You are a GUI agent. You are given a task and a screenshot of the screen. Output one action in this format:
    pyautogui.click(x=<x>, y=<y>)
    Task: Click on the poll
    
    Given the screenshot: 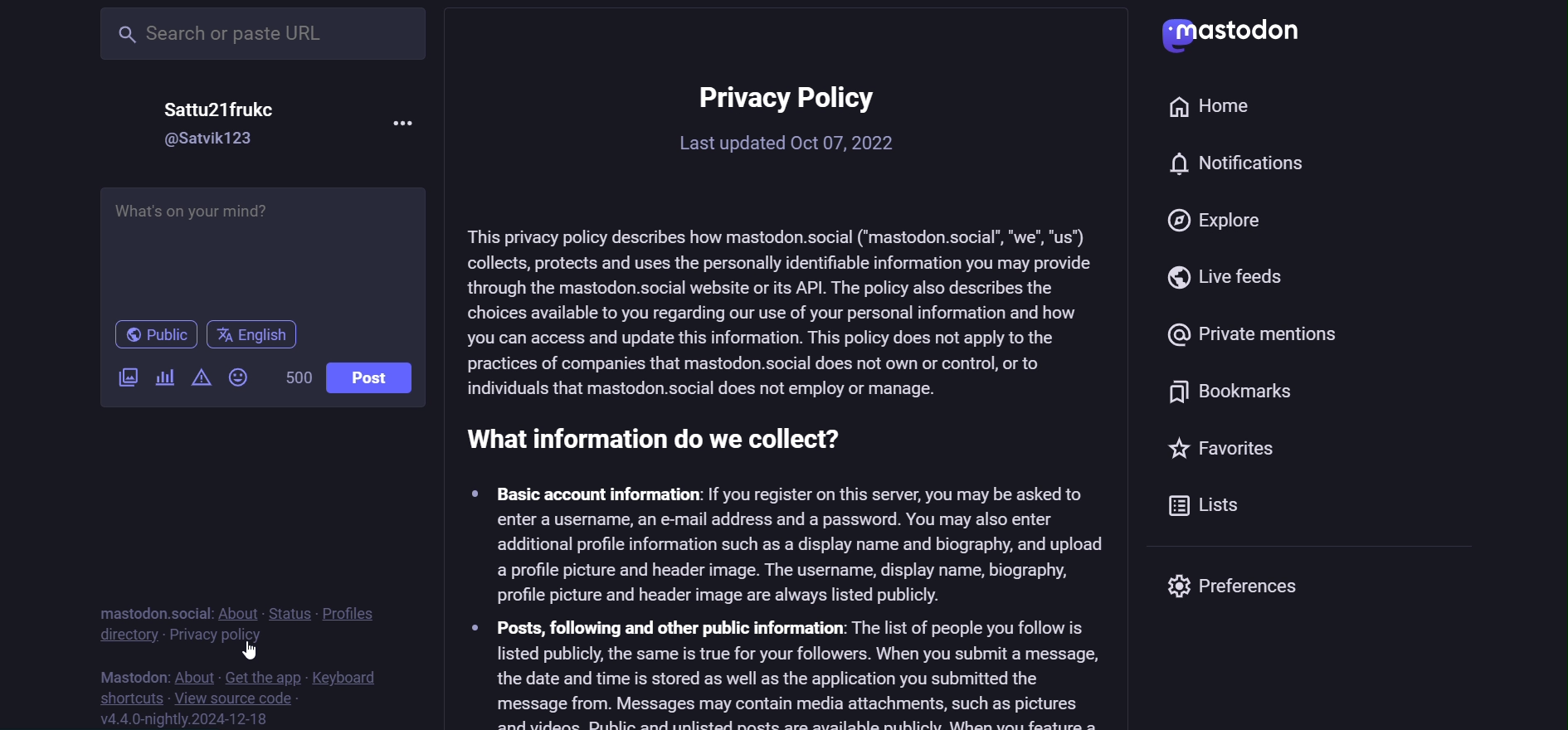 What is the action you would take?
    pyautogui.click(x=168, y=377)
    